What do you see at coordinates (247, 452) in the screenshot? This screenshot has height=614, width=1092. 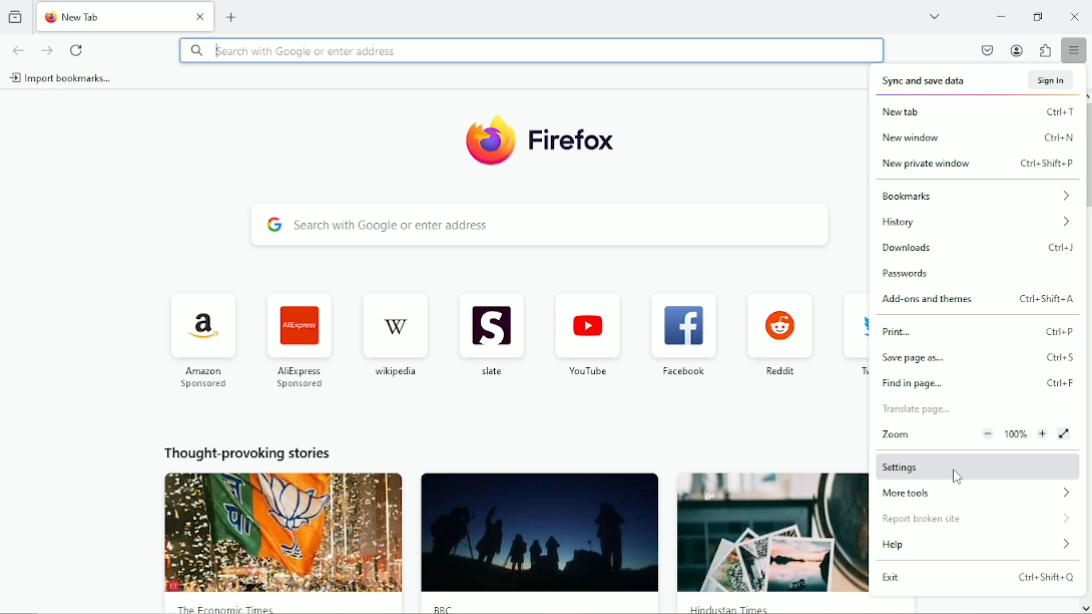 I see `Thought provoking stories` at bounding box center [247, 452].